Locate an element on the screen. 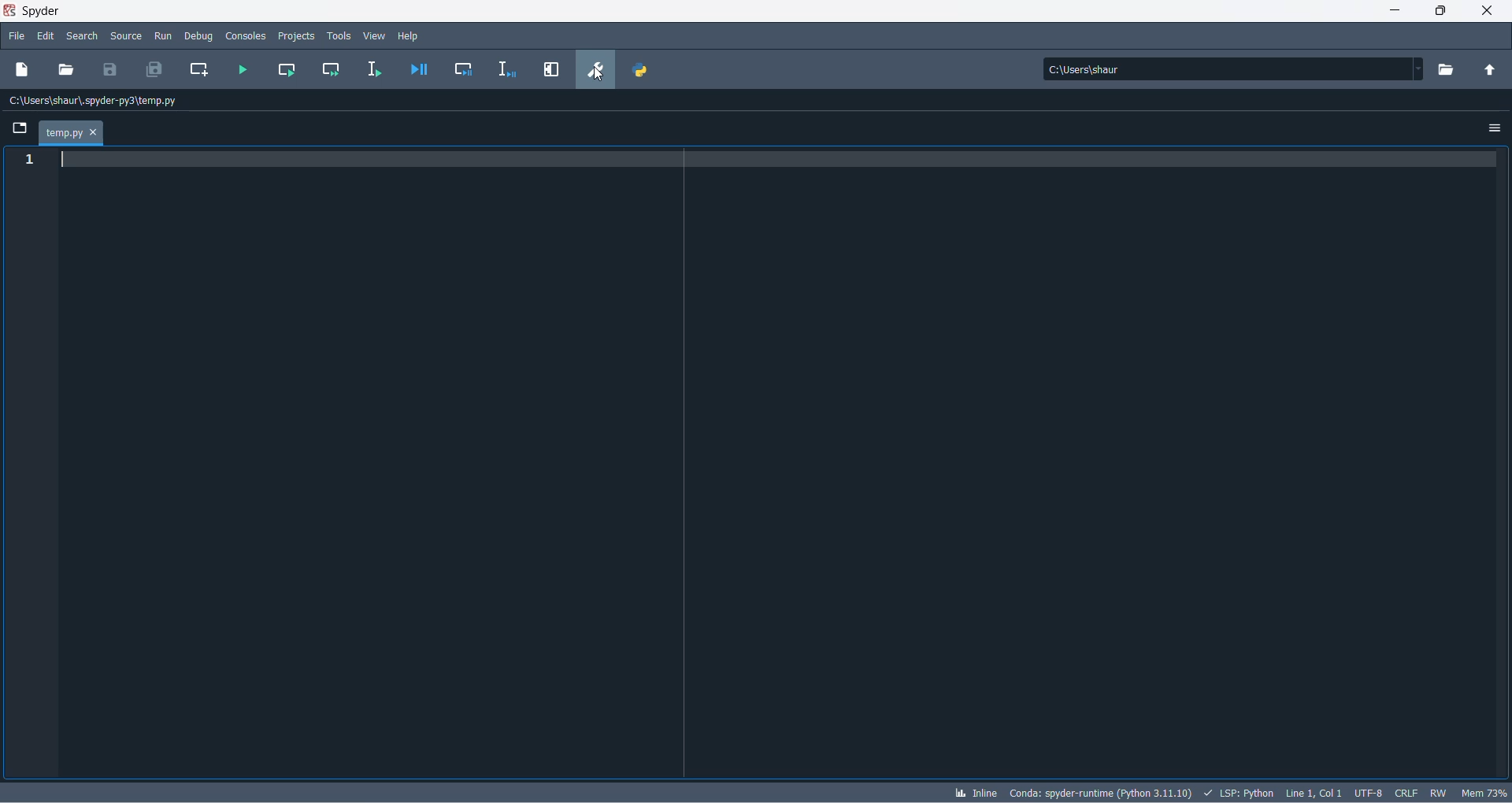 Image resolution: width=1512 pixels, height=803 pixels. working directory is located at coordinates (1450, 71).